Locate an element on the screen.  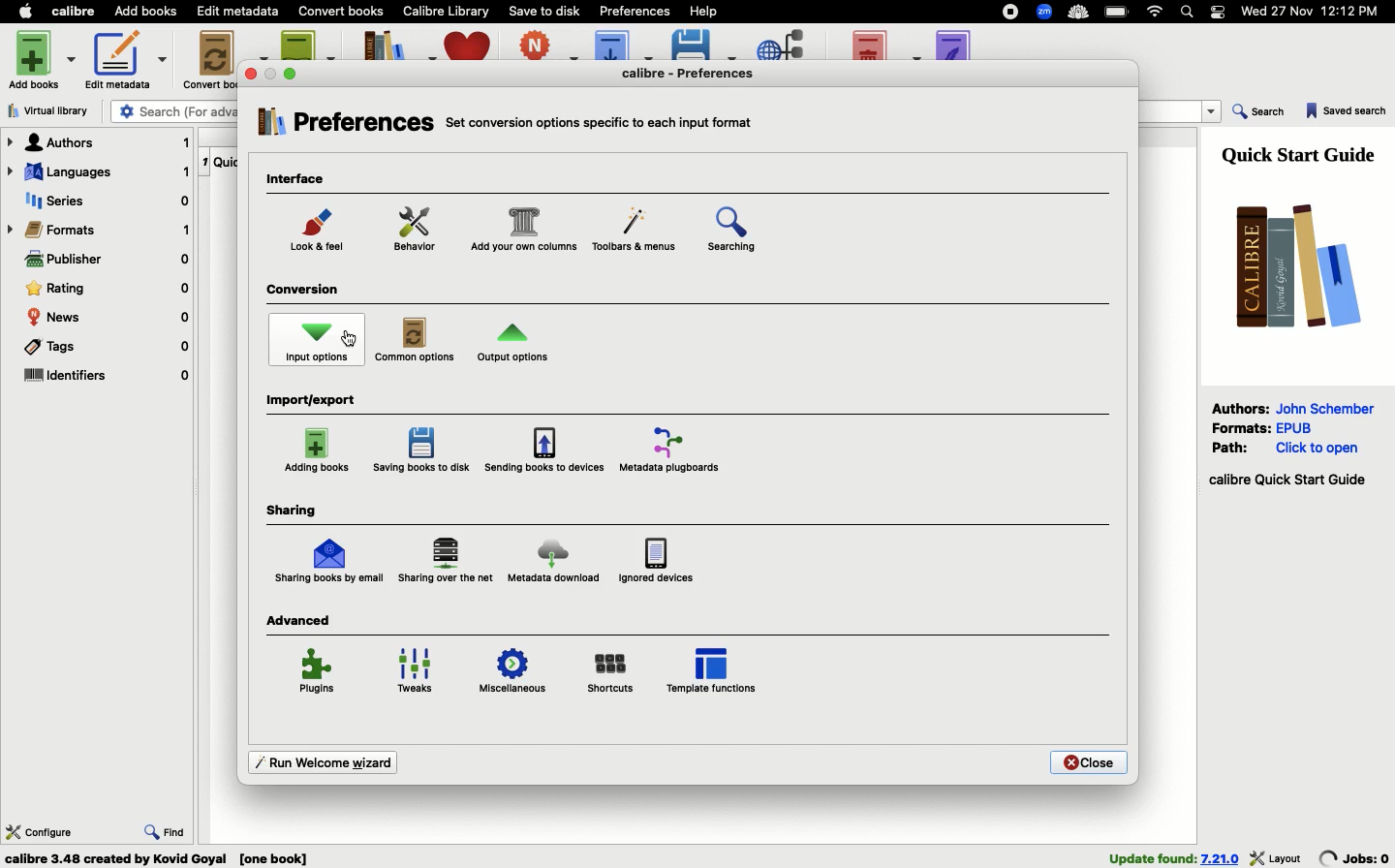
Identifiers is located at coordinates (107, 377).